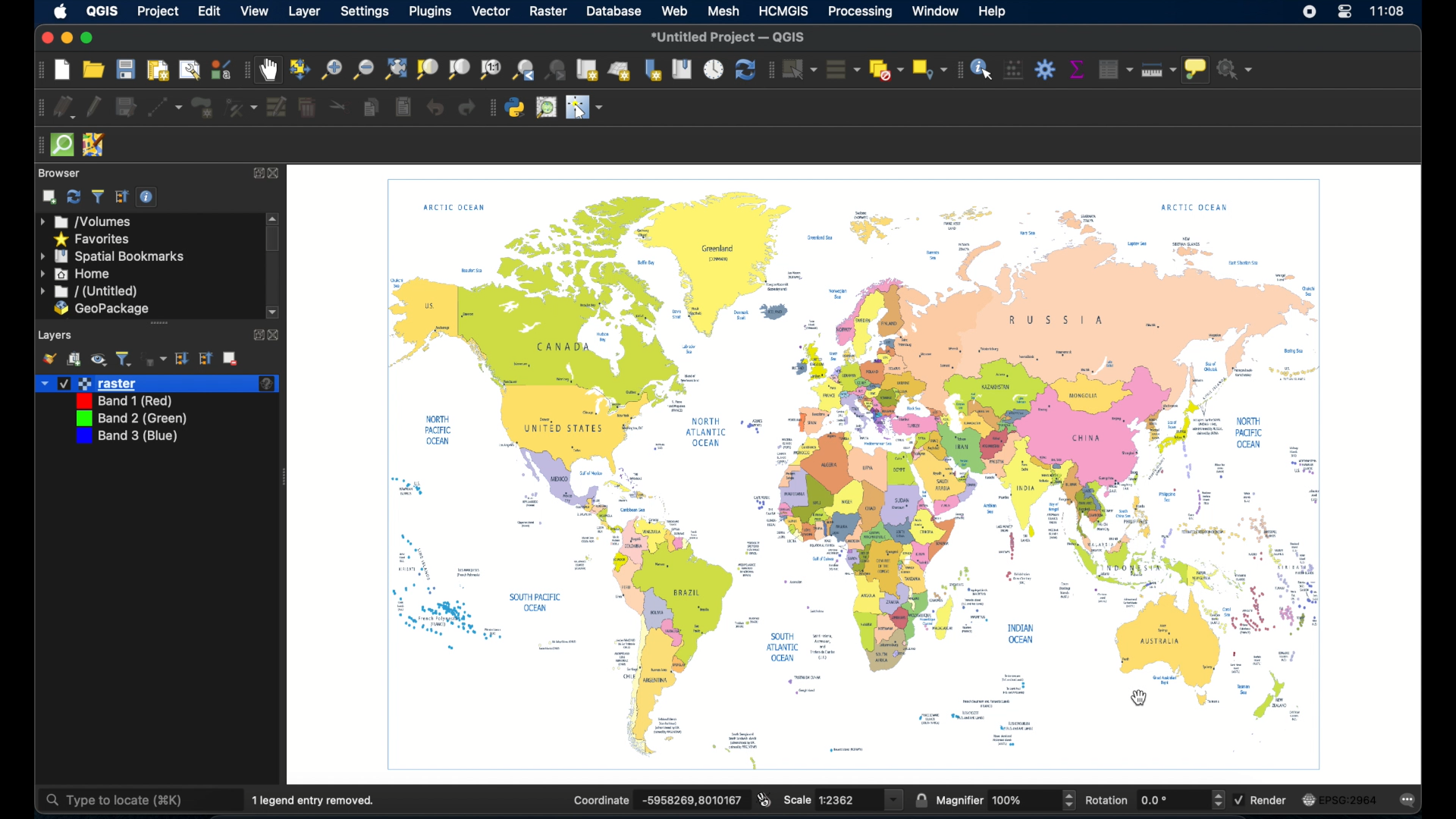 The width and height of the screenshot is (1456, 819). What do you see at coordinates (158, 11) in the screenshot?
I see `project` at bounding box center [158, 11].